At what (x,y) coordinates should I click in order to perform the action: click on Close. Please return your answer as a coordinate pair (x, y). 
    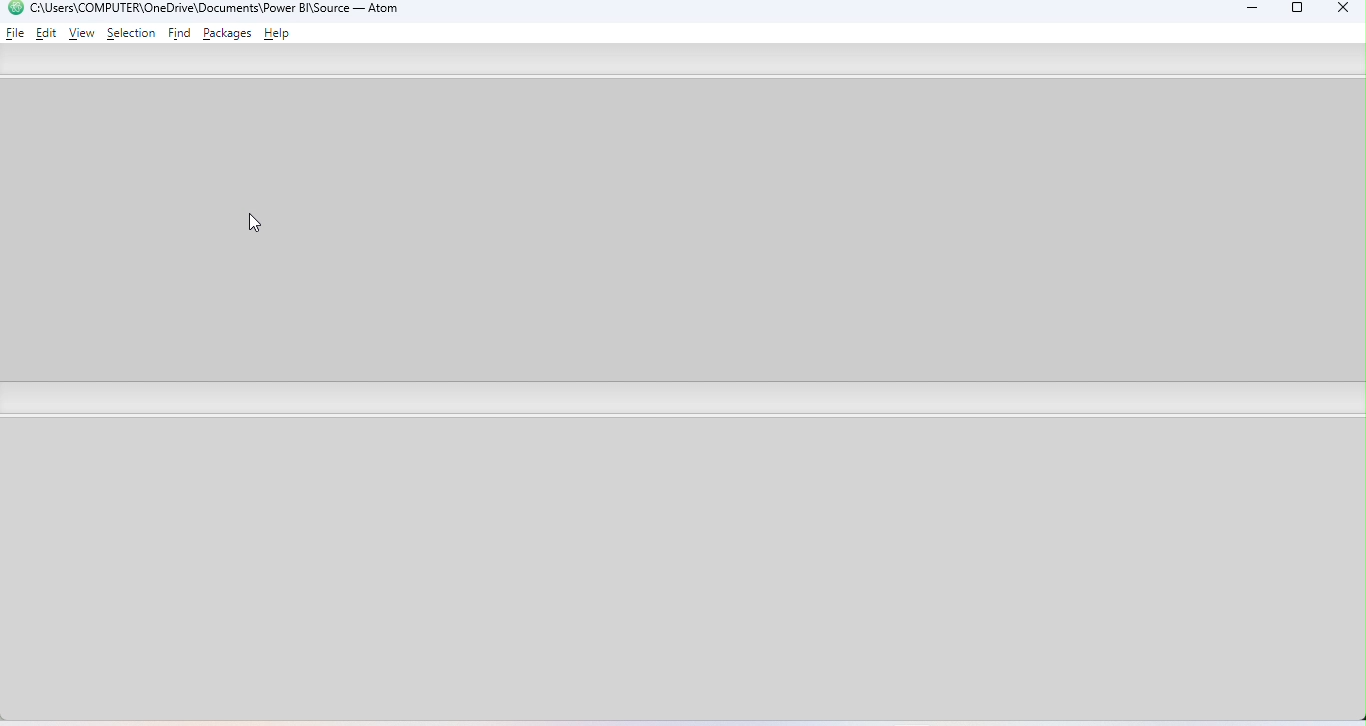
    Looking at the image, I should click on (1338, 10).